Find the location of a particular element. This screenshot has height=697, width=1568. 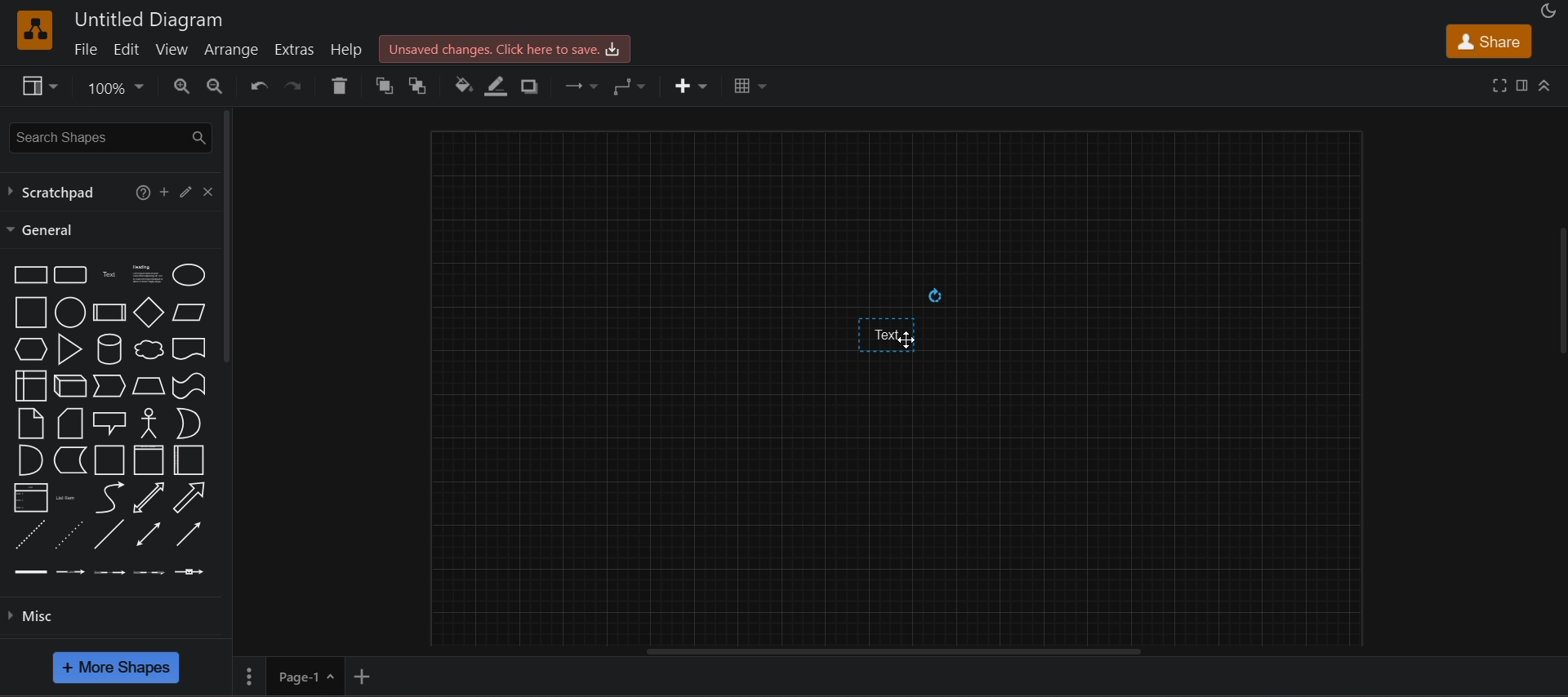

collapase/expand is located at coordinates (1544, 85).